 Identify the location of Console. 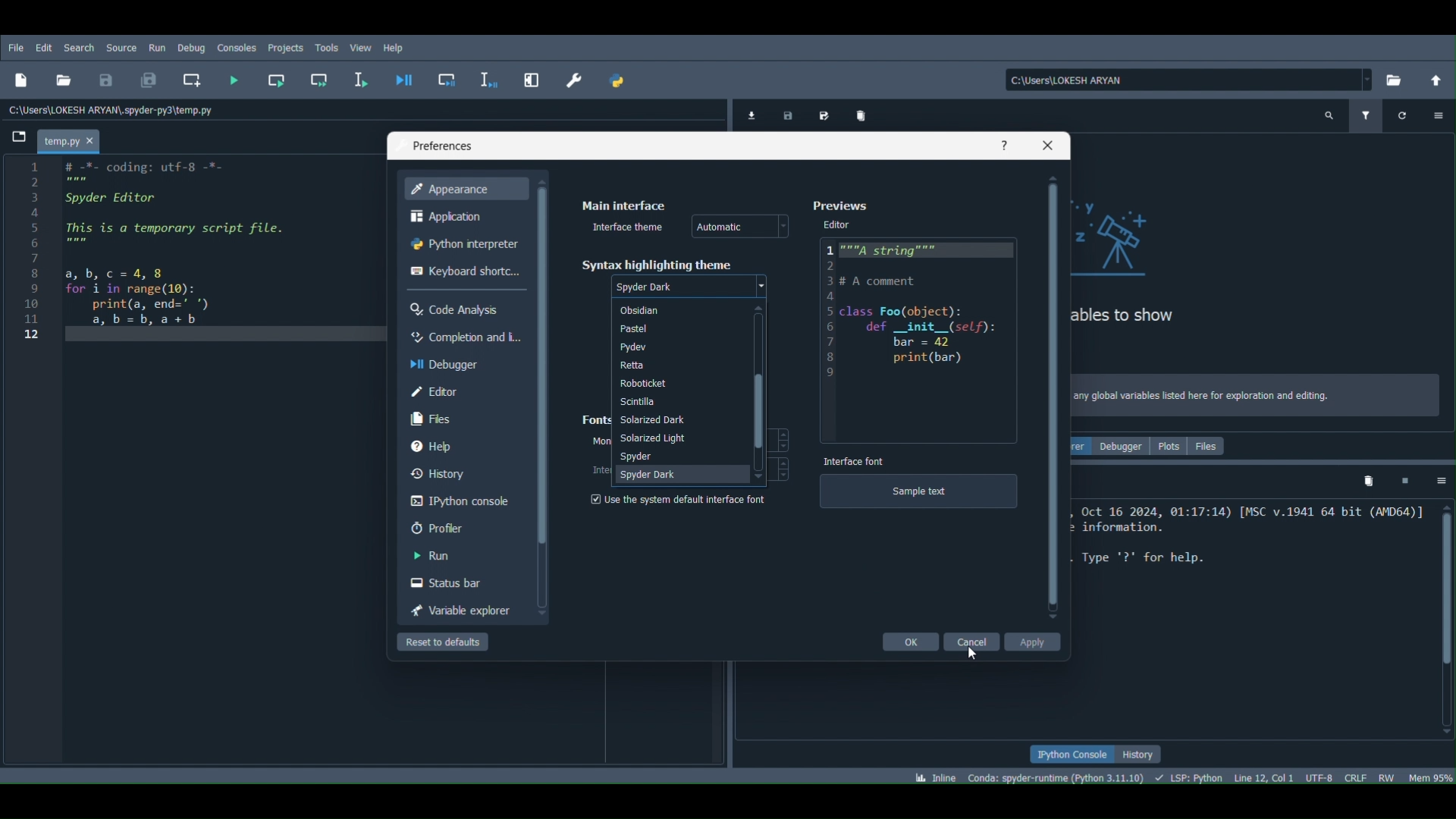
(233, 47).